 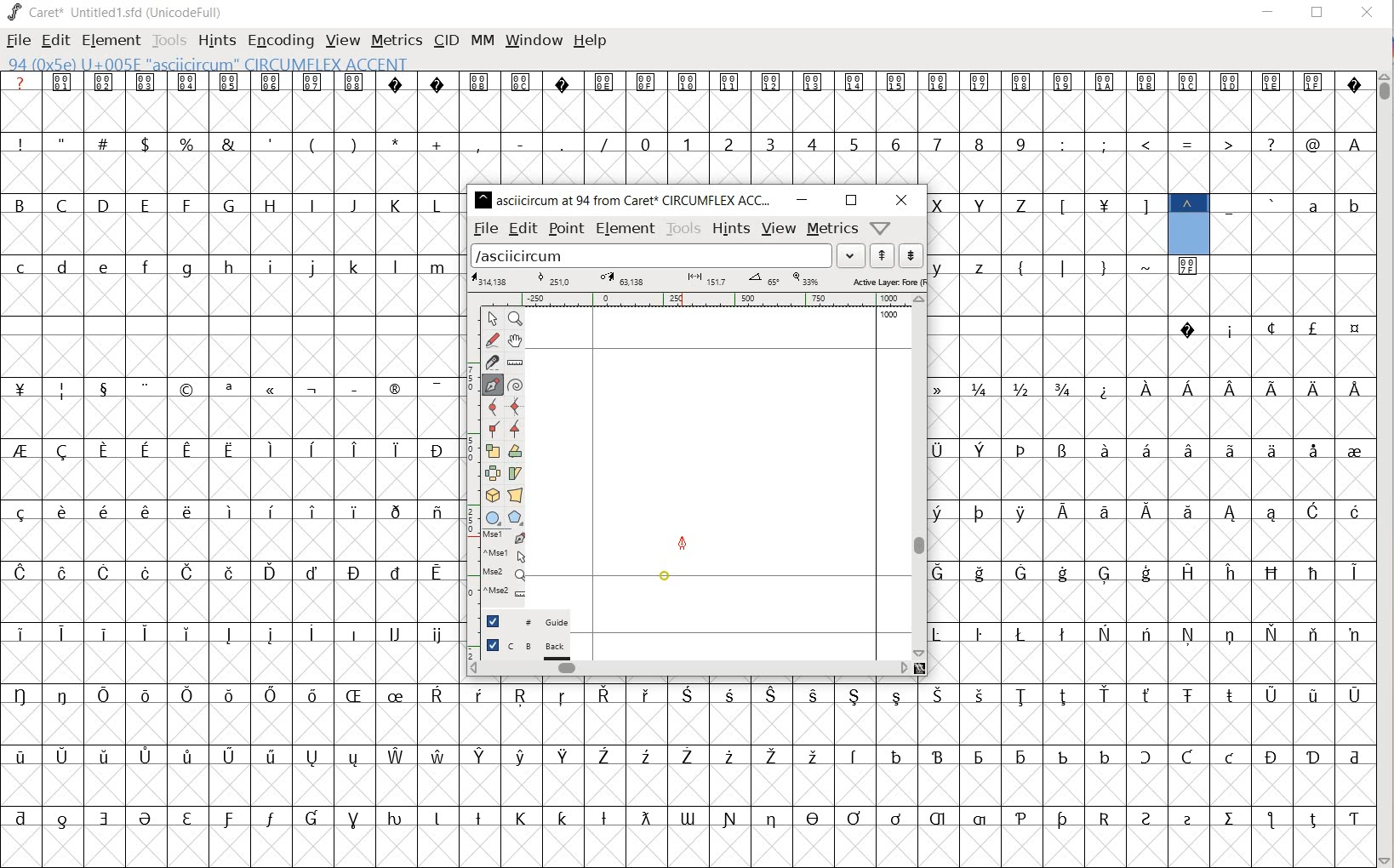 What do you see at coordinates (528, 648) in the screenshot?
I see `background` at bounding box center [528, 648].